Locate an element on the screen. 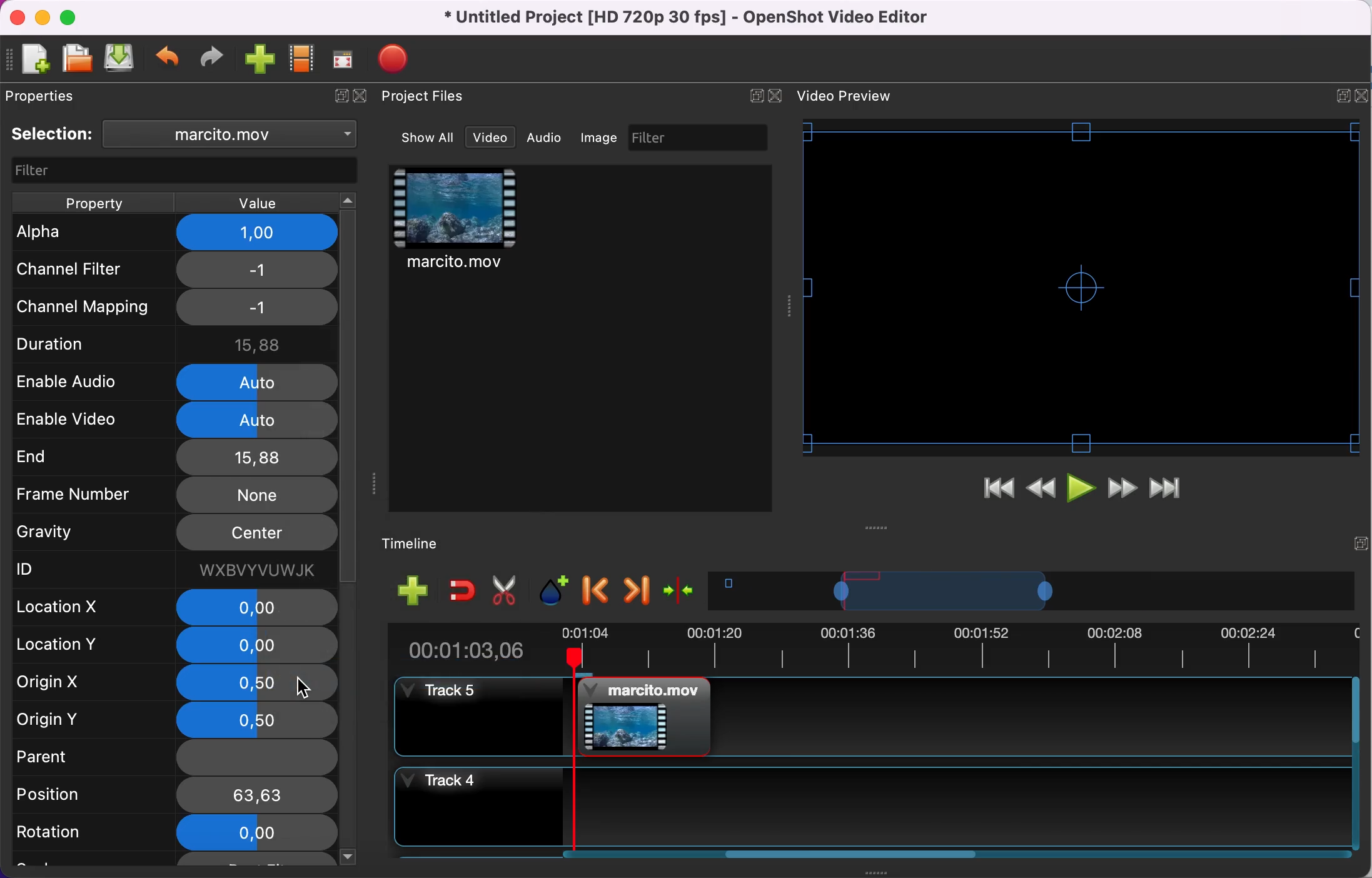  add marker is located at coordinates (556, 591).